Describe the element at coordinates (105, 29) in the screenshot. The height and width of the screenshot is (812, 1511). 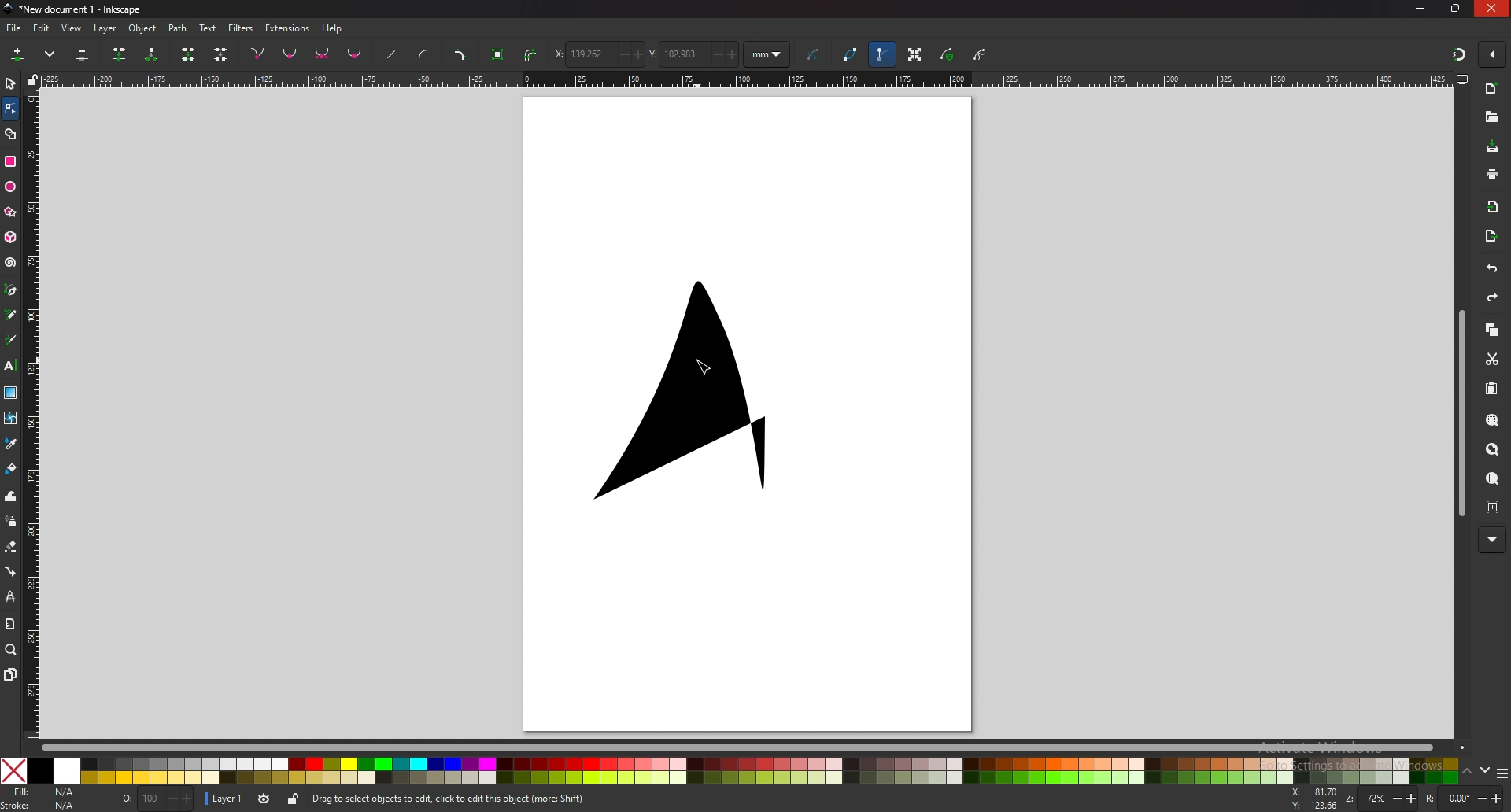
I see `layer` at that location.